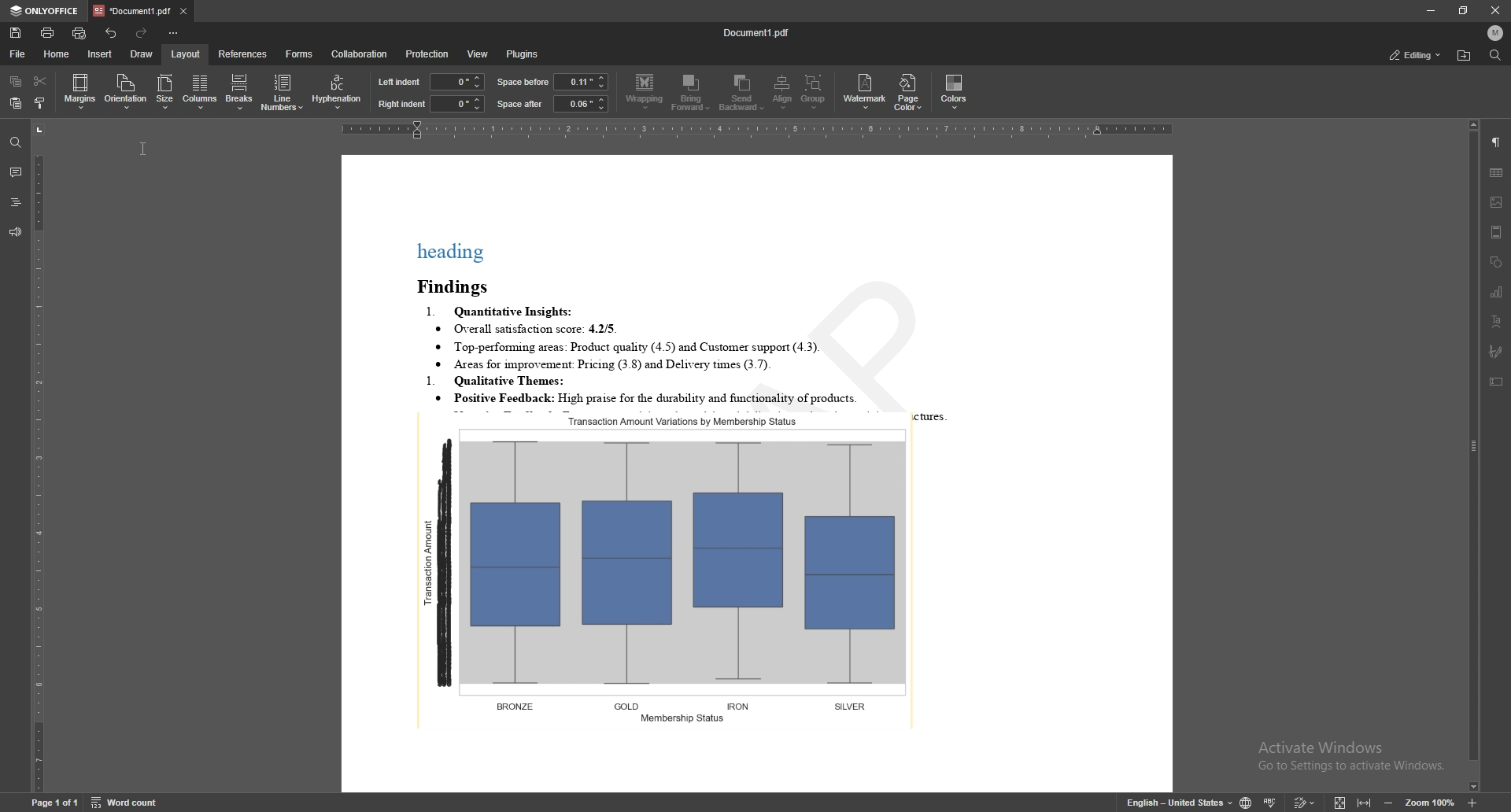 Image resolution: width=1511 pixels, height=812 pixels. What do you see at coordinates (126, 802) in the screenshot?
I see `word count` at bounding box center [126, 802].